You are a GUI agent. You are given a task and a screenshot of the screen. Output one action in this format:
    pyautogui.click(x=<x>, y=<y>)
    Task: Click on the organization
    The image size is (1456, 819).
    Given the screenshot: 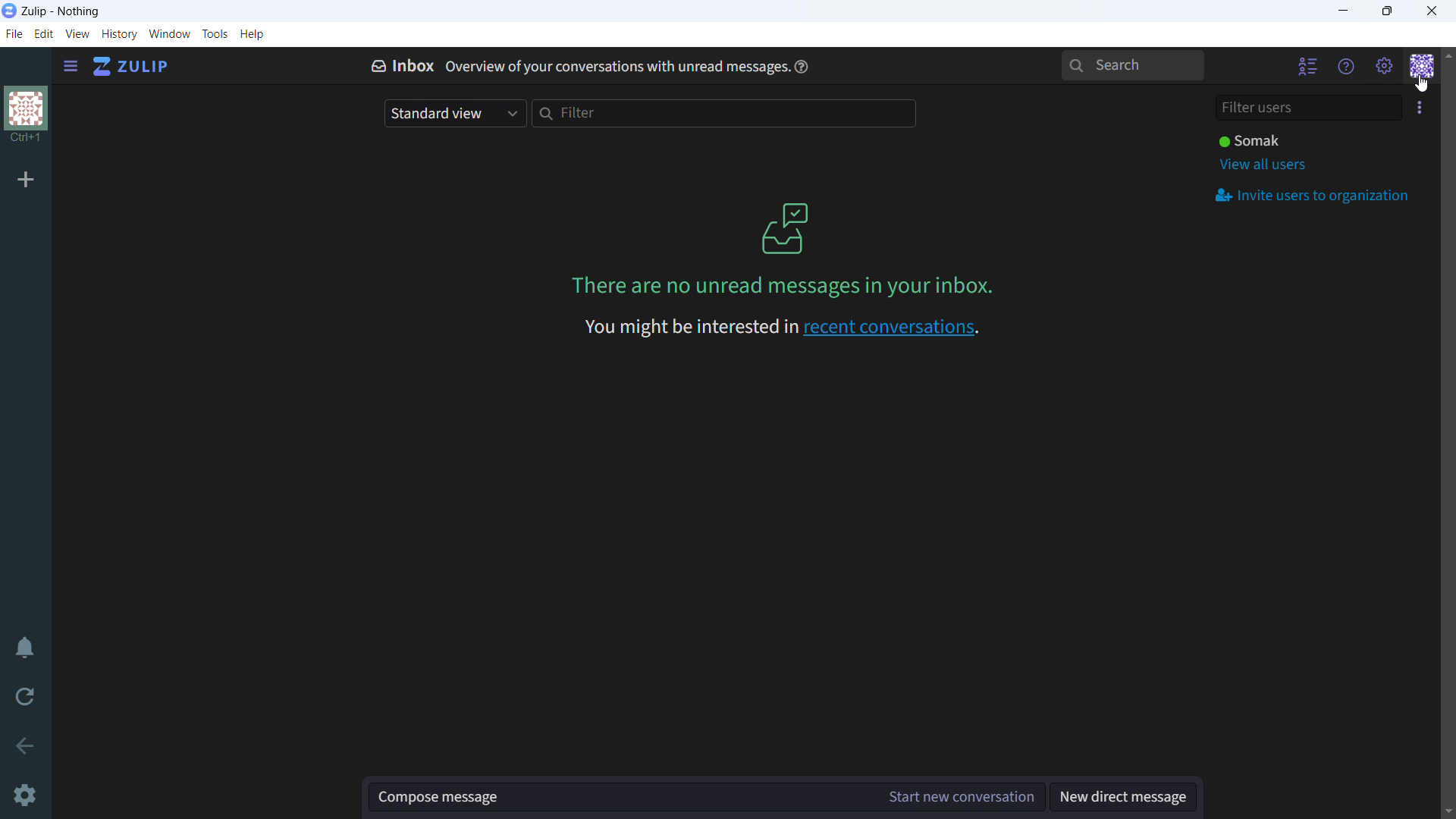 What is the action you would take?
    pyautogui.click(x=24, y=118)
    